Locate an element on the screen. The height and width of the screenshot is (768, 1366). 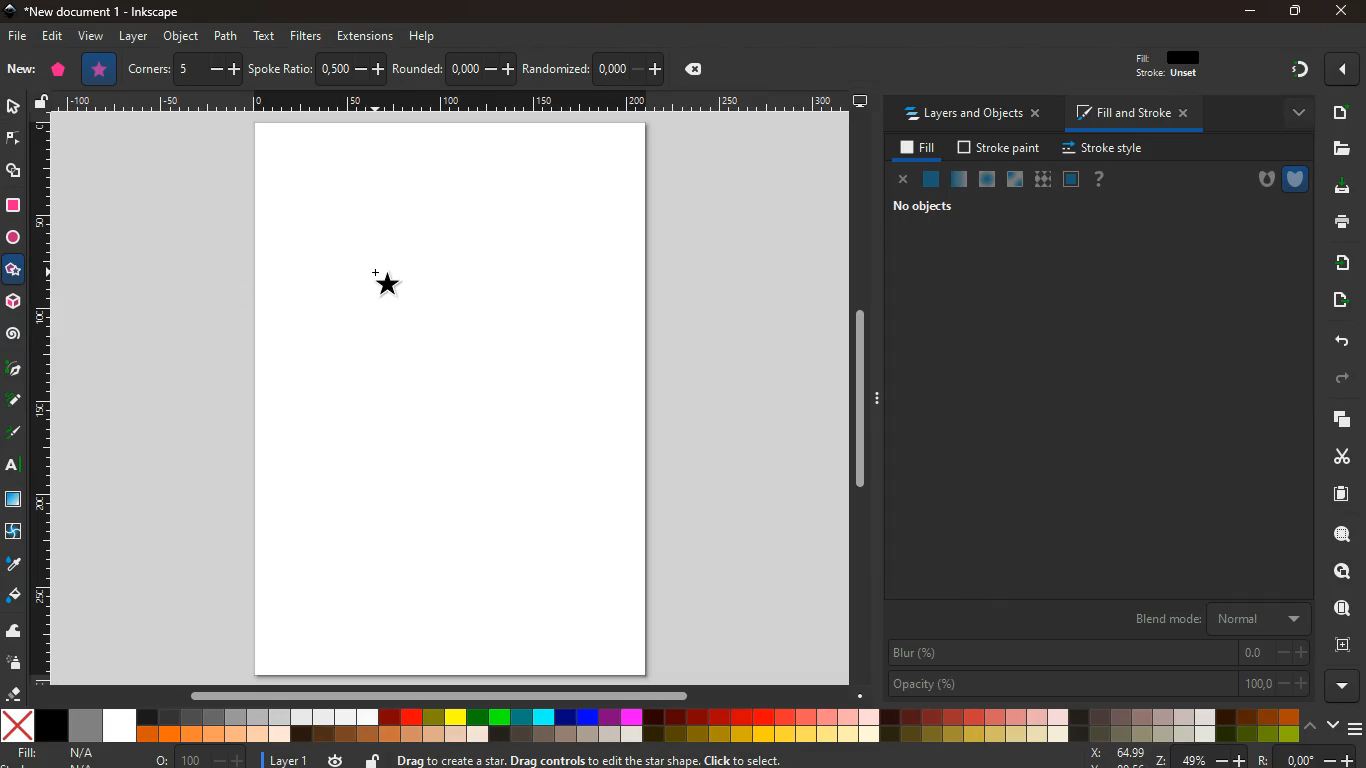
normal is located at coordinates (931, 178).